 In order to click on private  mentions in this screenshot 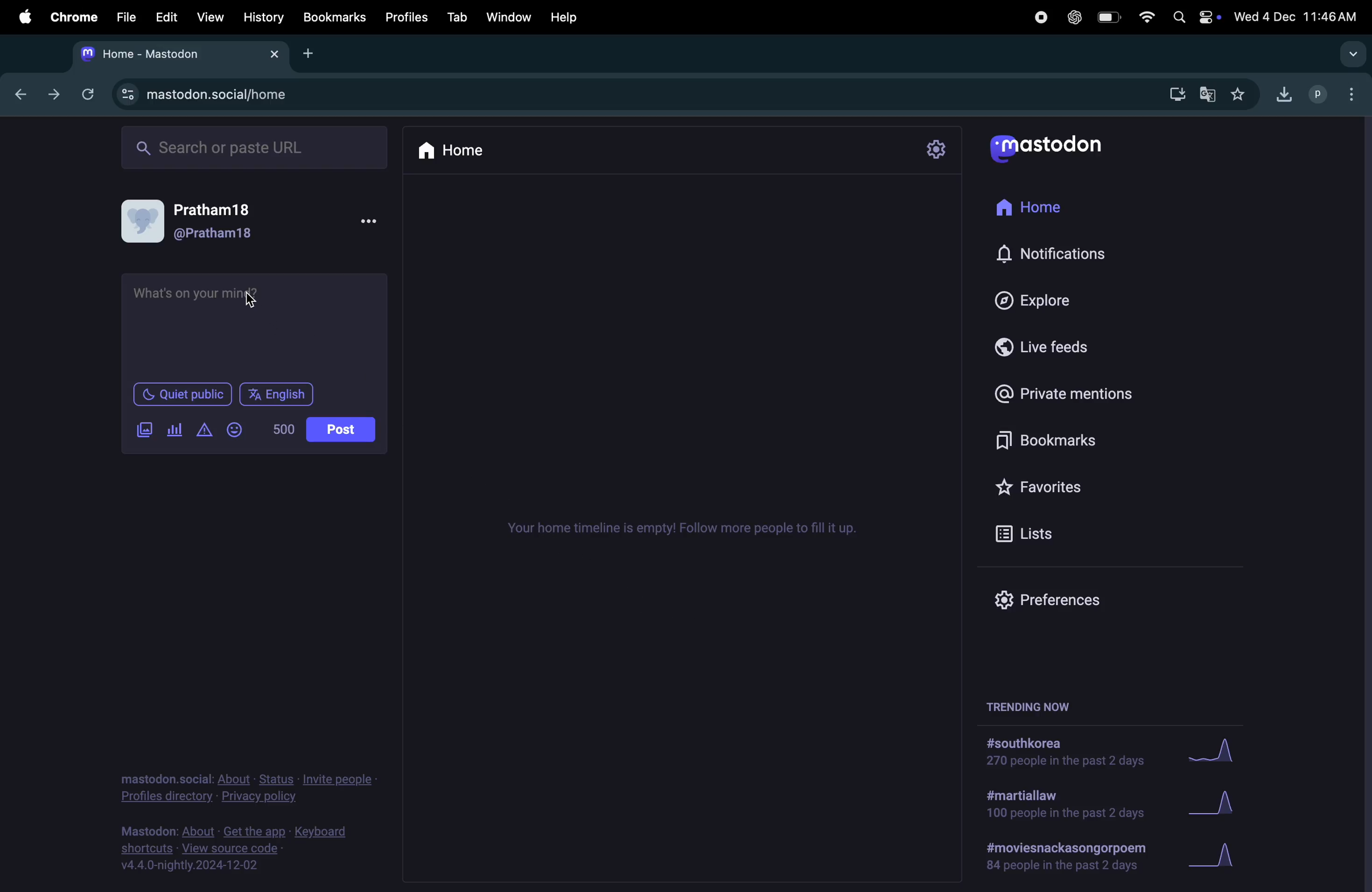, I will do `click(1065, 392)`.